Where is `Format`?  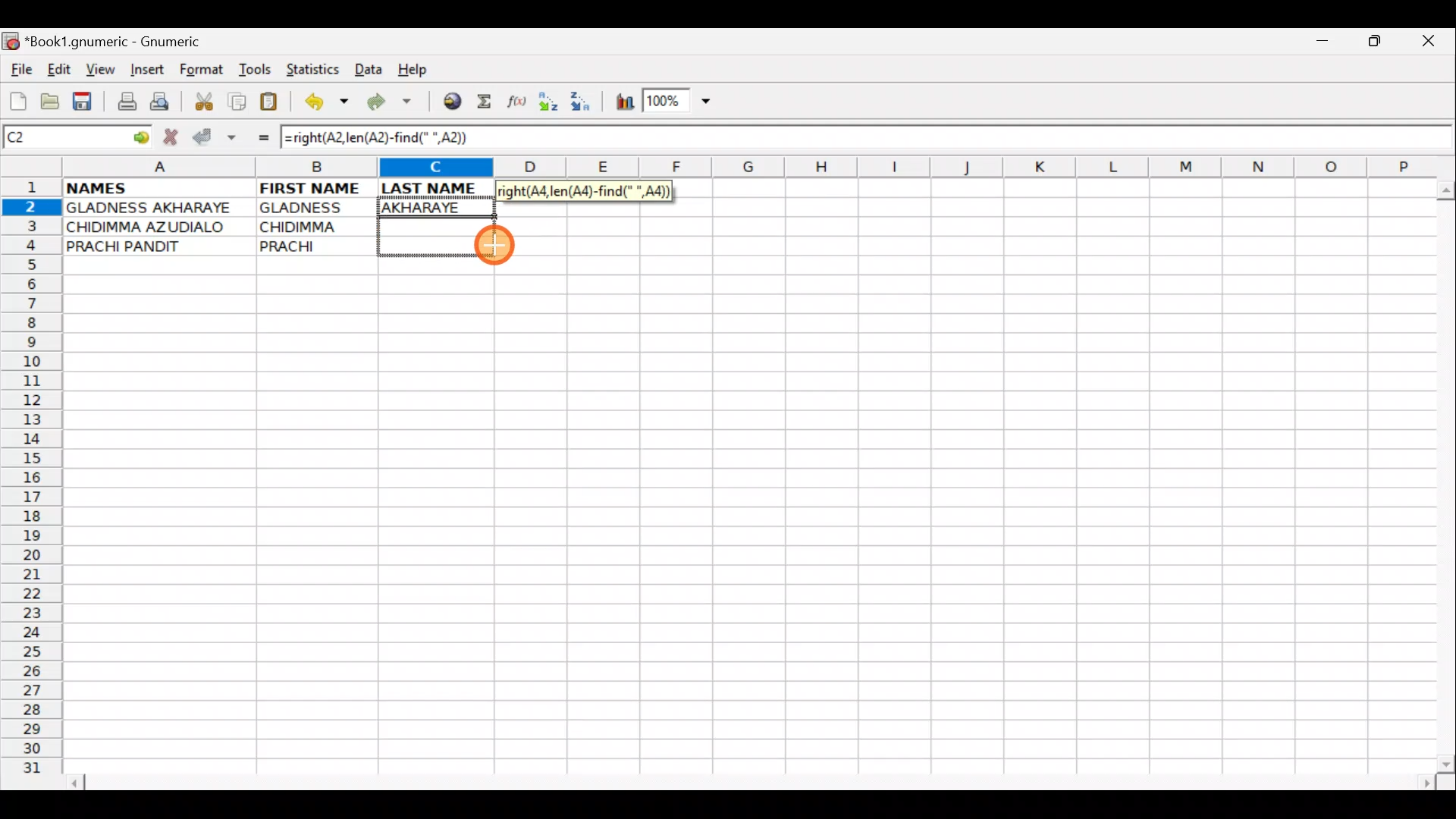
Format is located at coordinates (205, 71).